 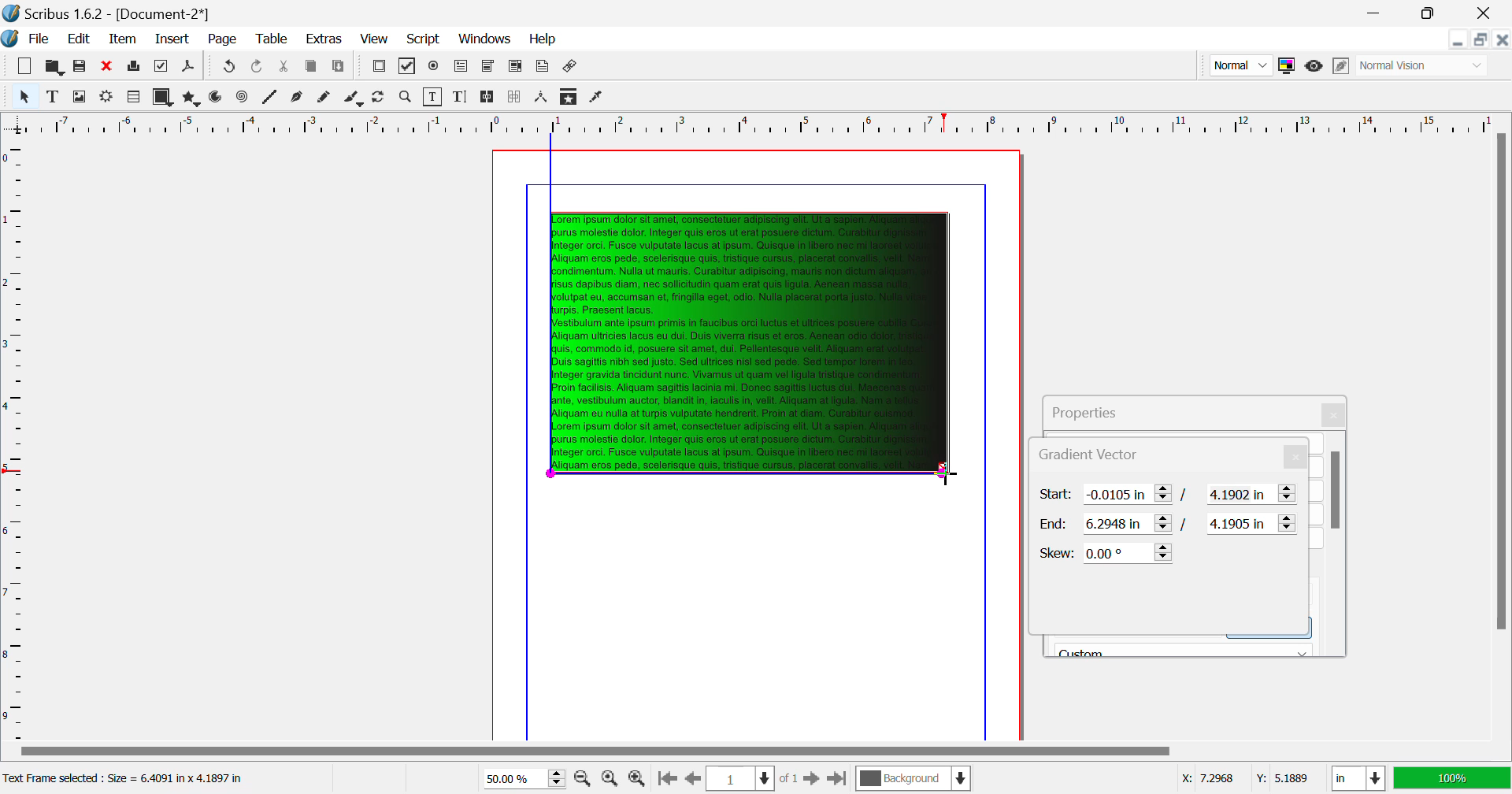 What do you see at coordinates (107, 66) in the screenshot?
I see `Discard` at bounding box center [107, 66].